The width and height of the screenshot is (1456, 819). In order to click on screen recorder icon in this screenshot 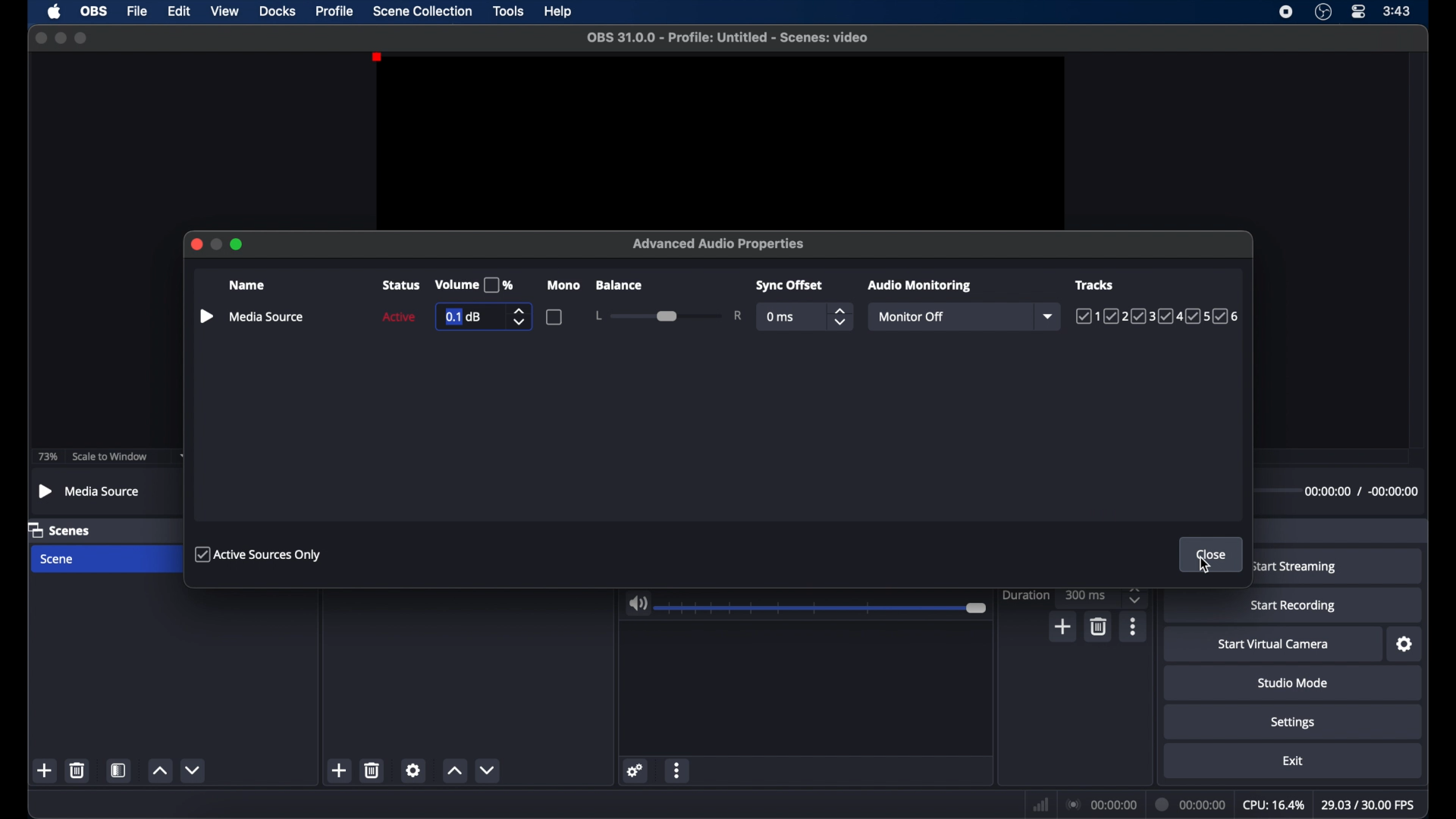, I will do `click(1285, 11)`.